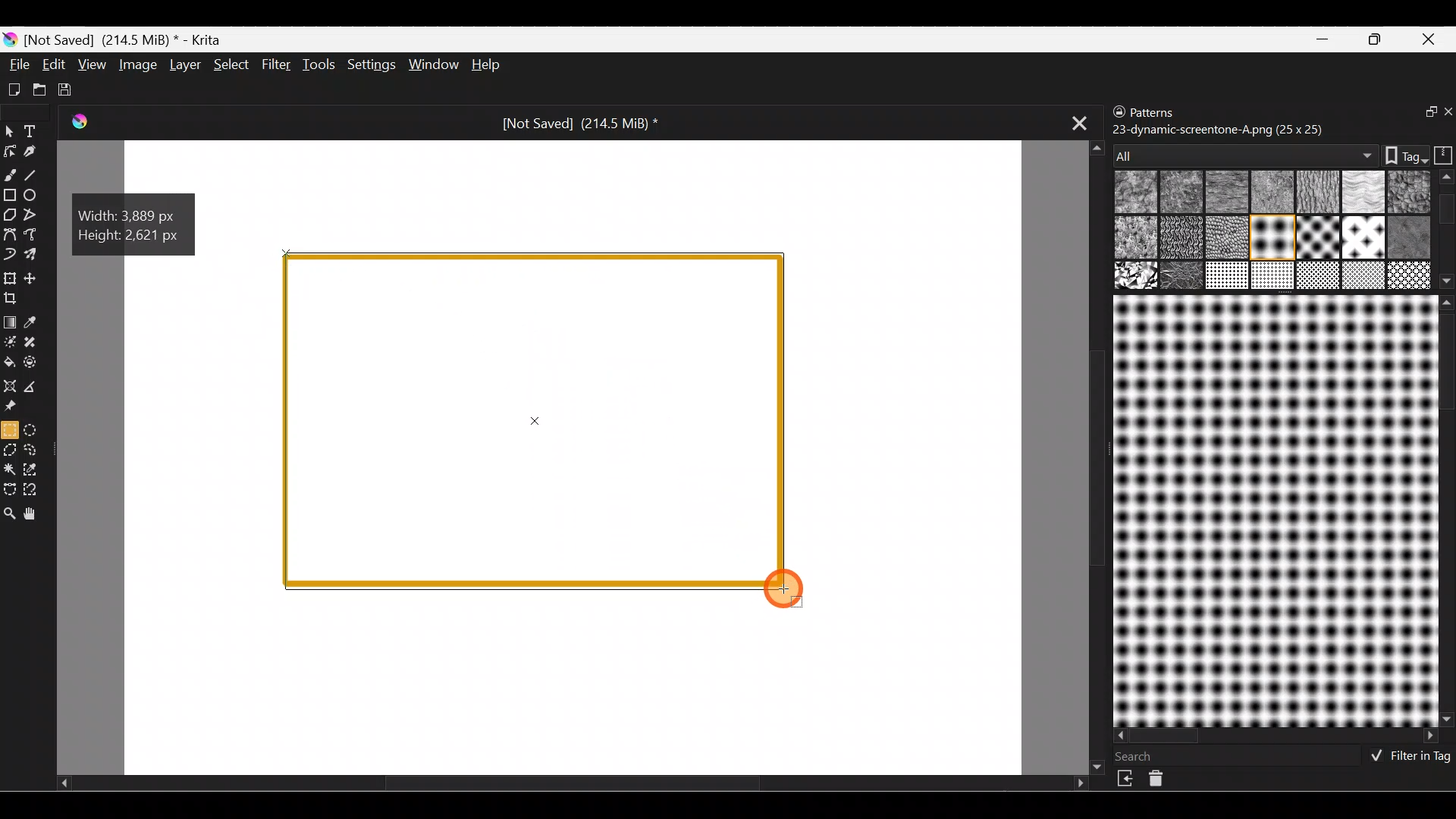  I want to click on Sample a colour, so click(39, 322).